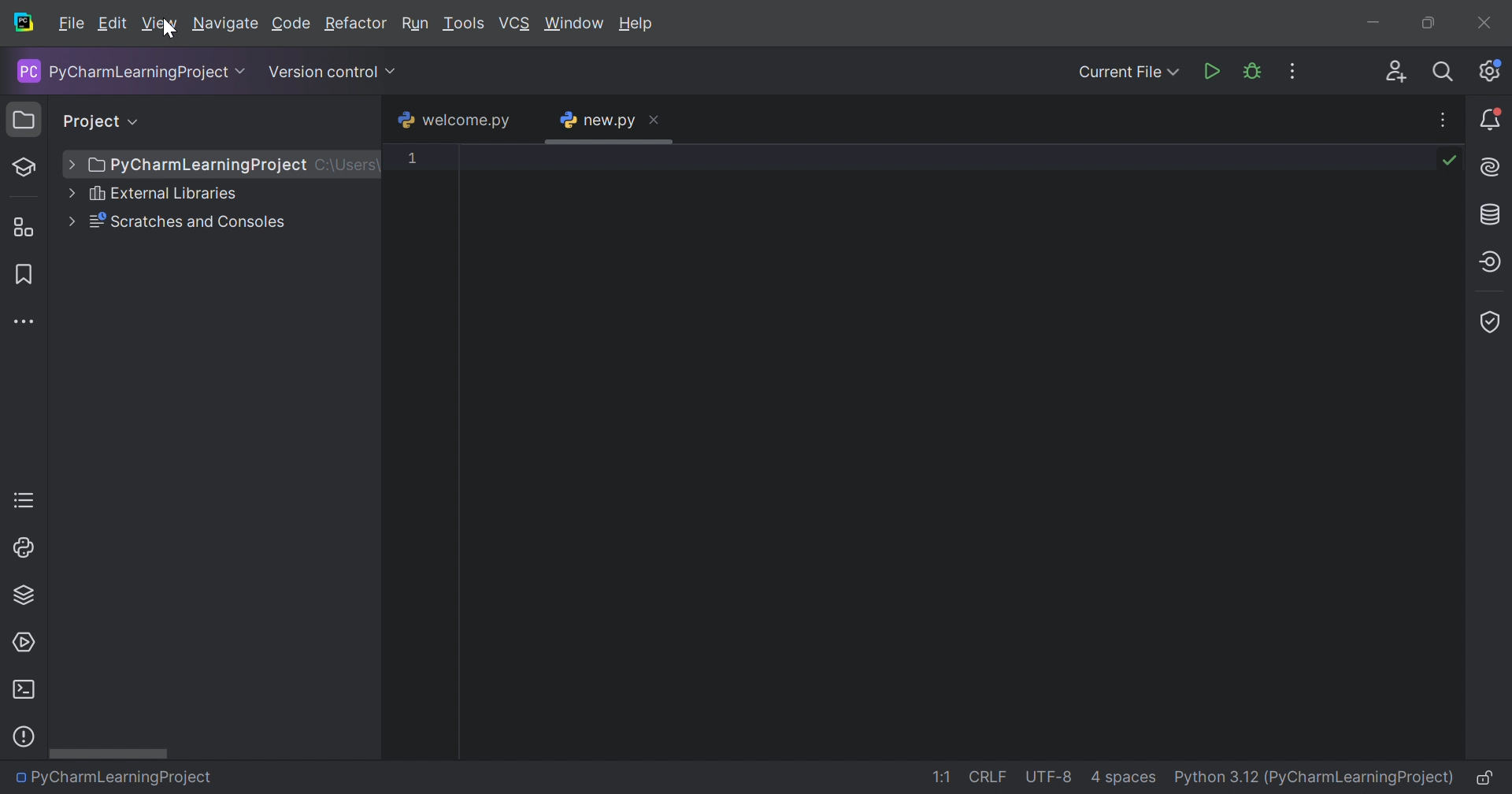 This screenshot has width=1512, height=794. Describe the element at coordinates (1049, 777) in the screenshot. I see `UTF-8` at that location.